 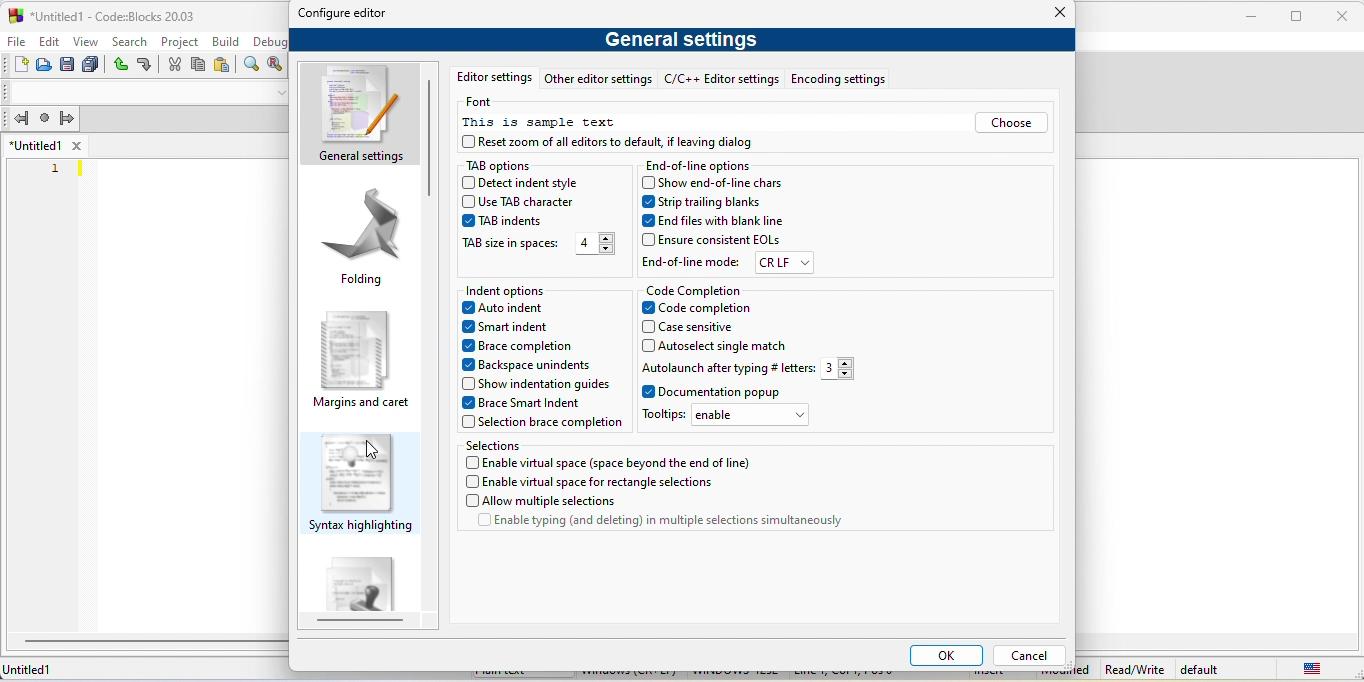 I want to click on cut, so click(x=174, y=64).